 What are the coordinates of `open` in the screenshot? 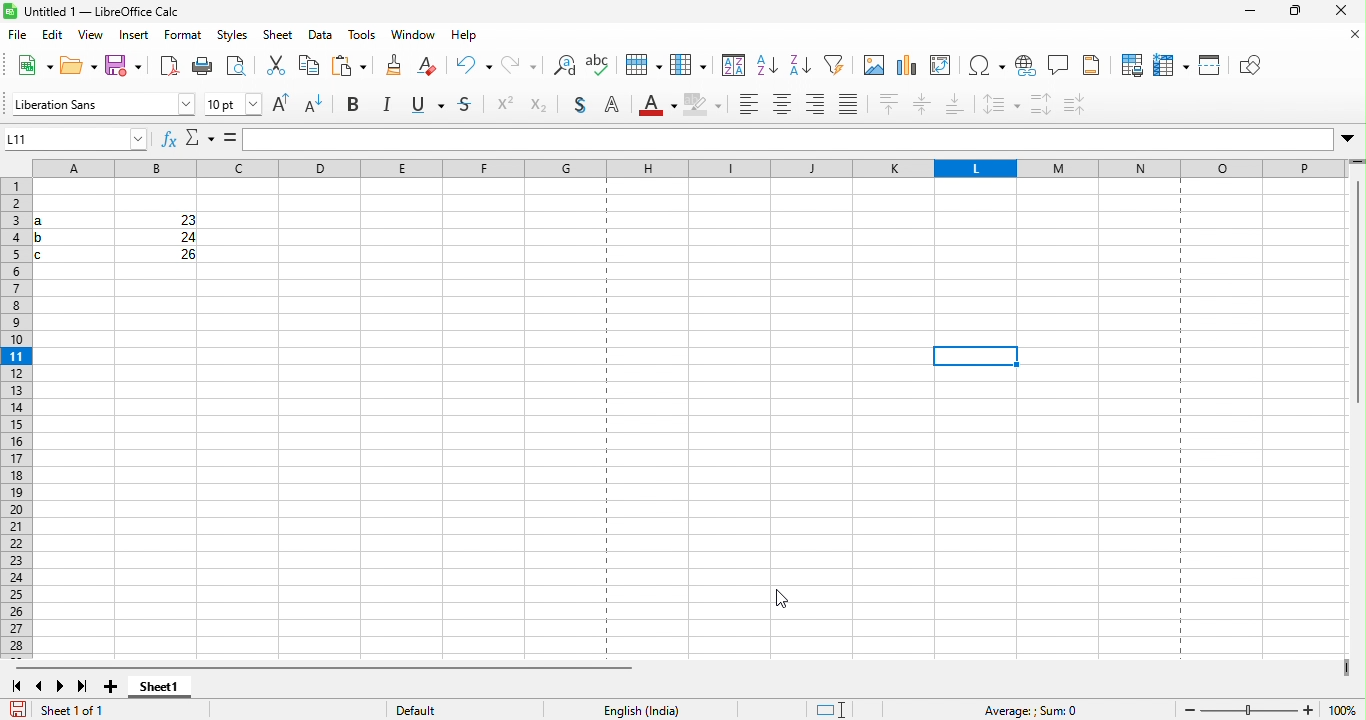 It's located at (78, 67).